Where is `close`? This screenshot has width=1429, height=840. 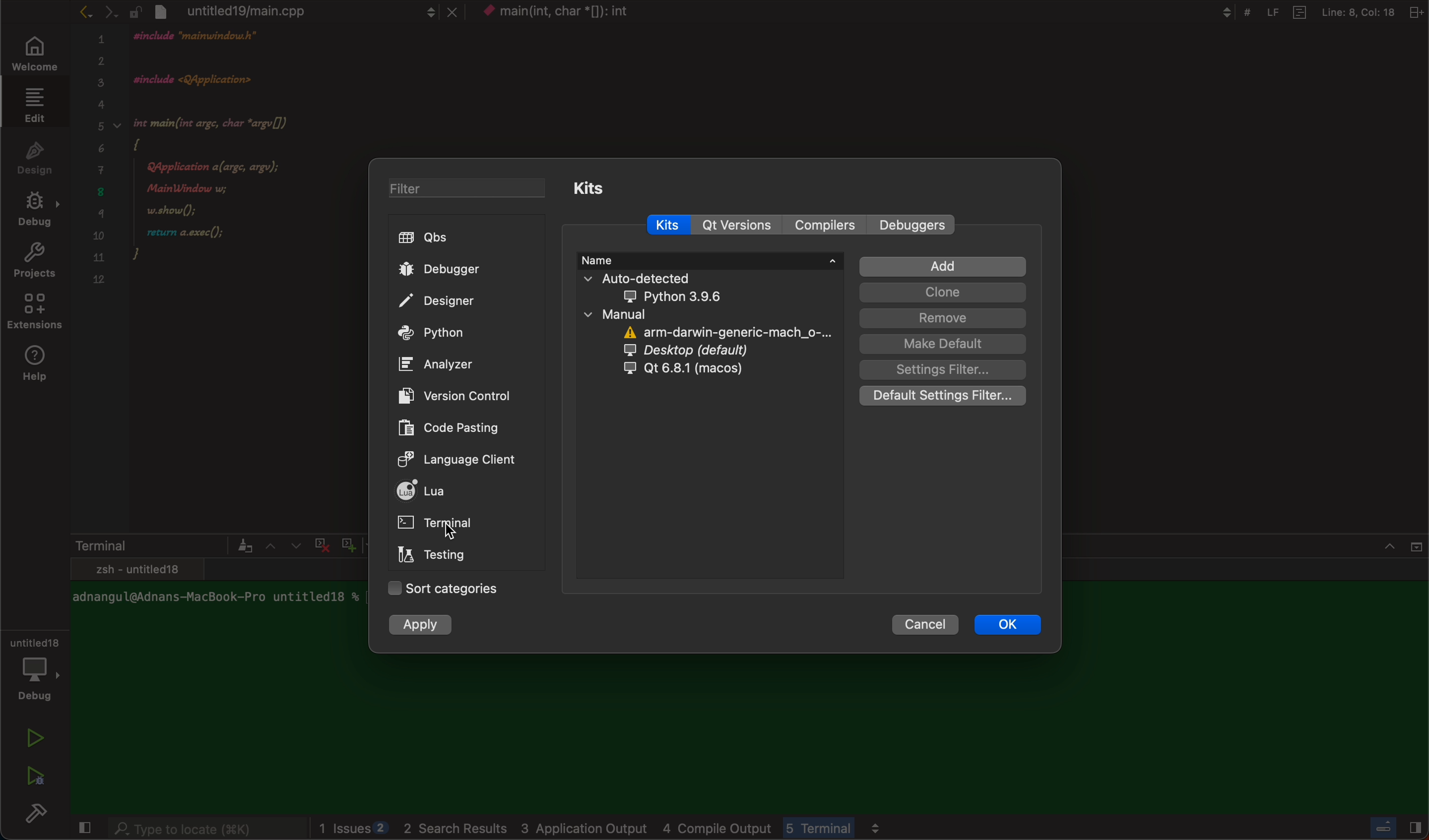 close is located at coordinates (82, 829).